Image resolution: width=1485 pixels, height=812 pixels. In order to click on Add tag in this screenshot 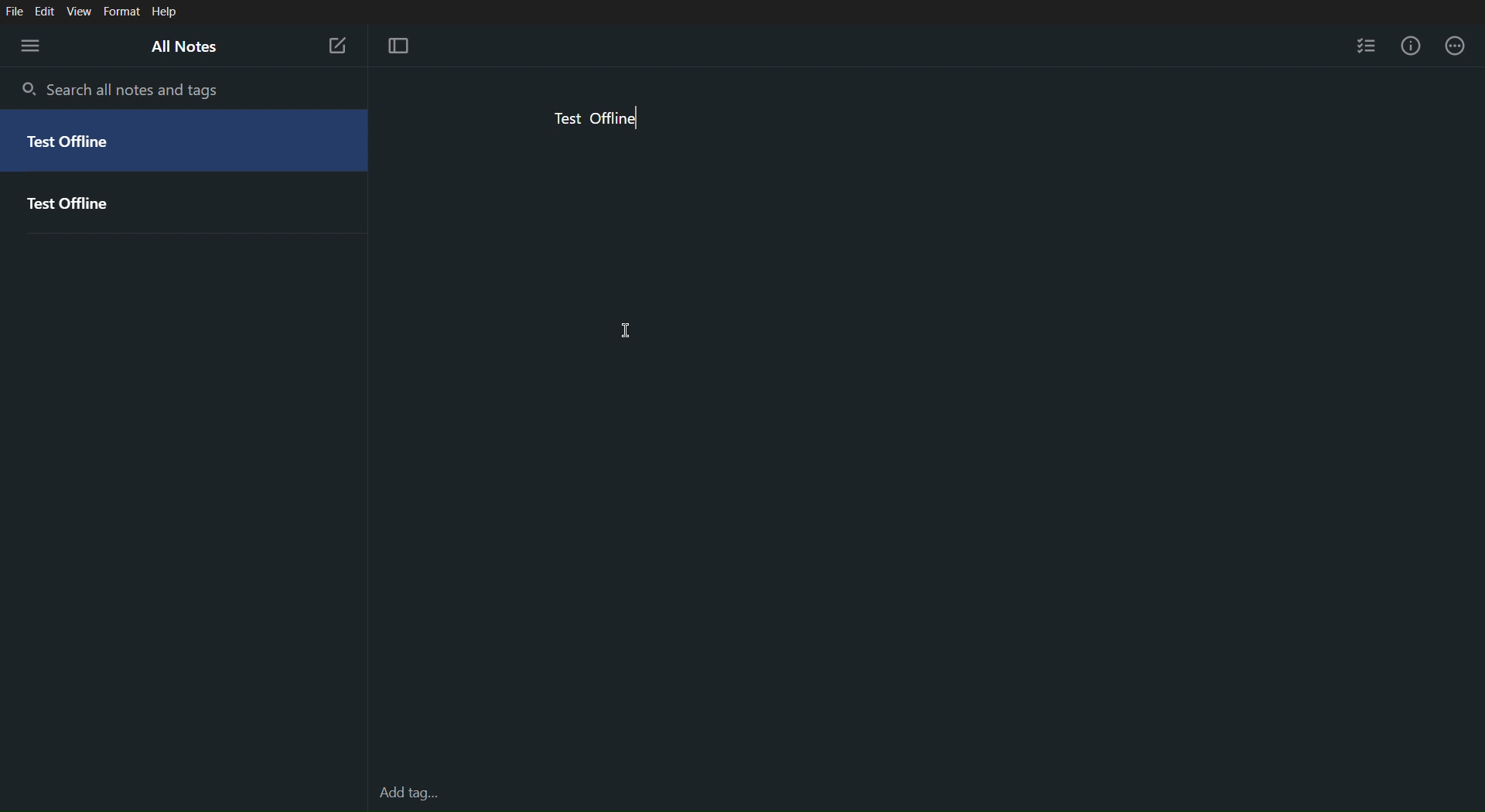, I will do `click(405, 793)`.